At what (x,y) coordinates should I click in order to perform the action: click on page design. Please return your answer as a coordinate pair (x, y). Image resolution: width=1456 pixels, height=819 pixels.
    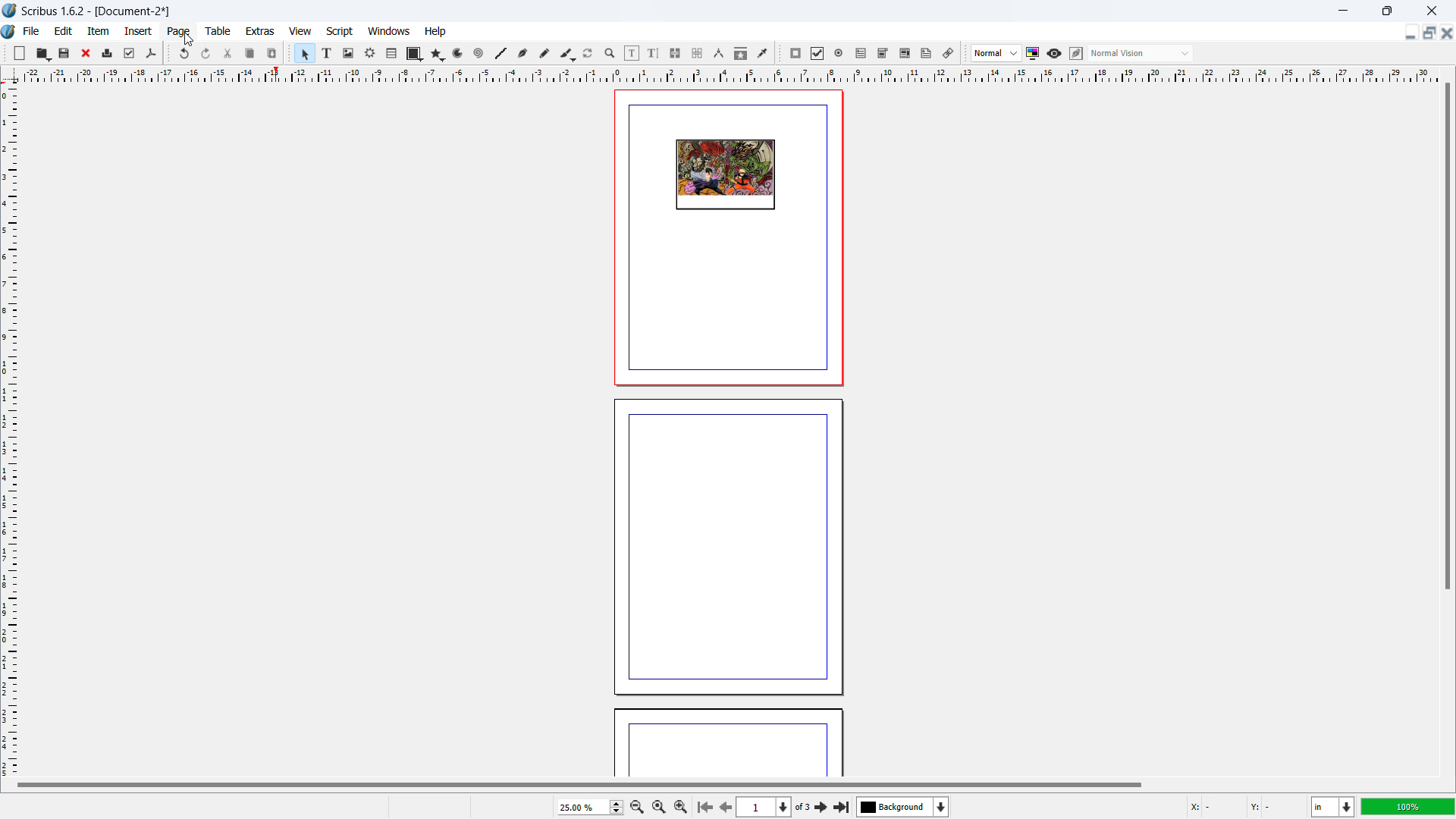
    Looking at the image, I should click on (725, 175).